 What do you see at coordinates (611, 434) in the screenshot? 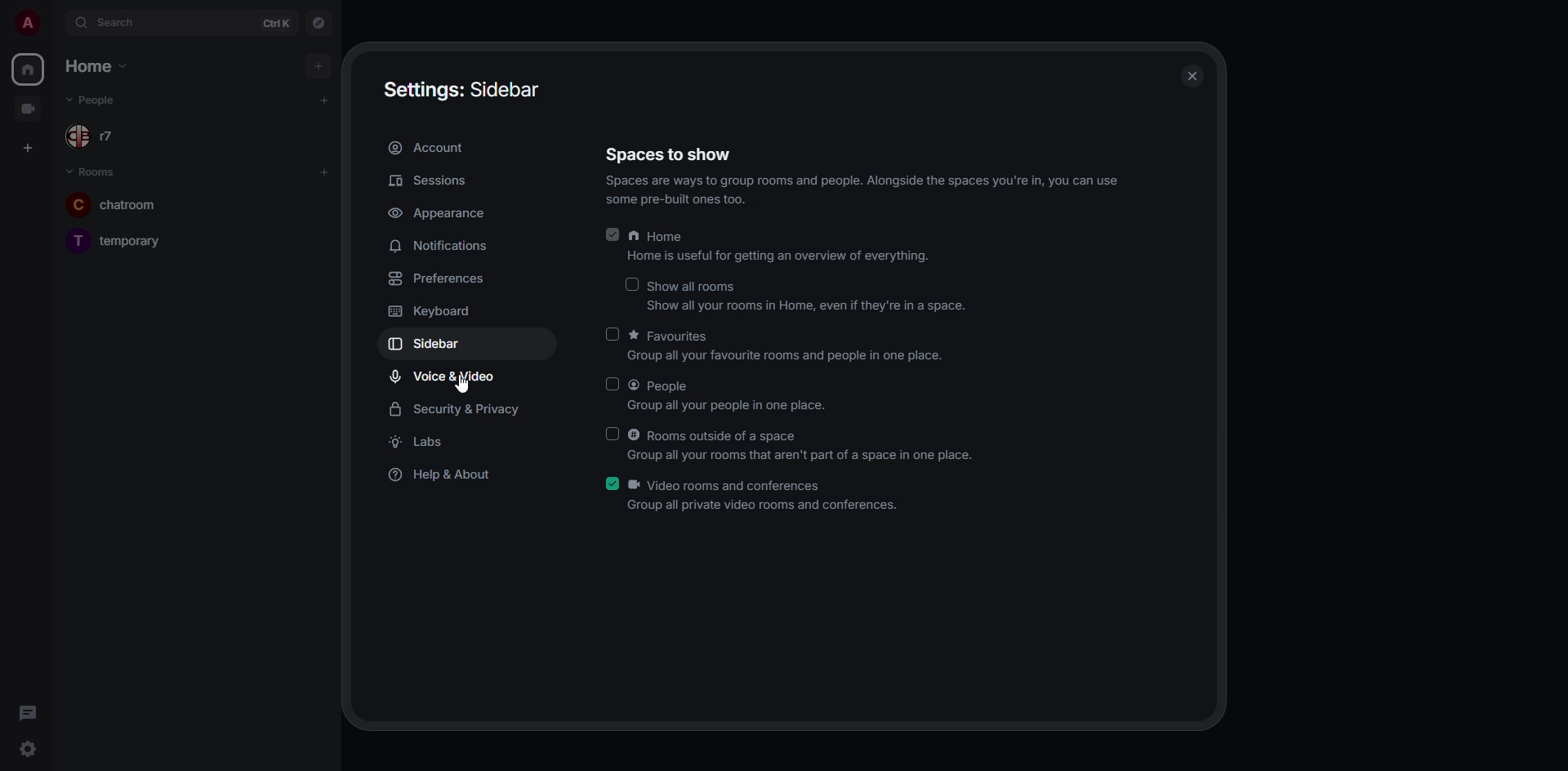
I see `click to enable` at bounding box center [611, 434].